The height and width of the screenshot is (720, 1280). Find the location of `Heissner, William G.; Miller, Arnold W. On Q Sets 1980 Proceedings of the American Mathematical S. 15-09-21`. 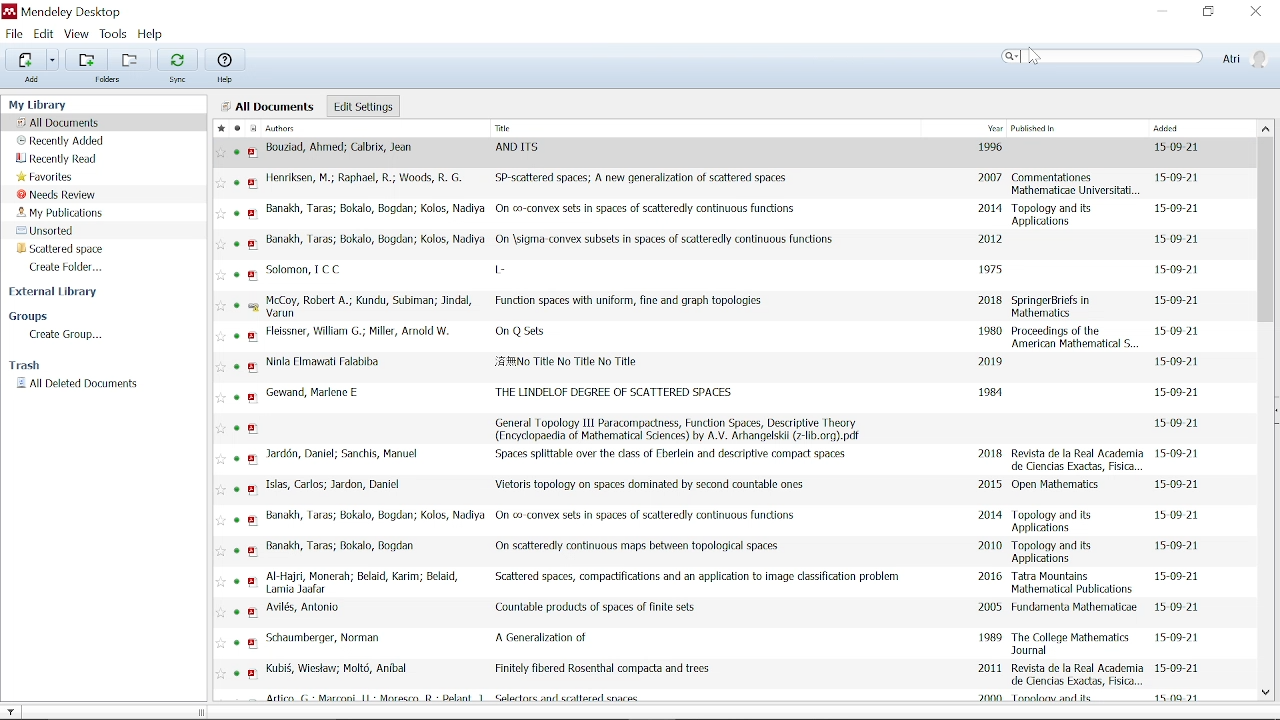

Heissner, William G.; Miller, Arnold W. On Q Sets 1980 Proceedings of the American Mathematical S. 15-09-21 is located at coordinates (727, 337).